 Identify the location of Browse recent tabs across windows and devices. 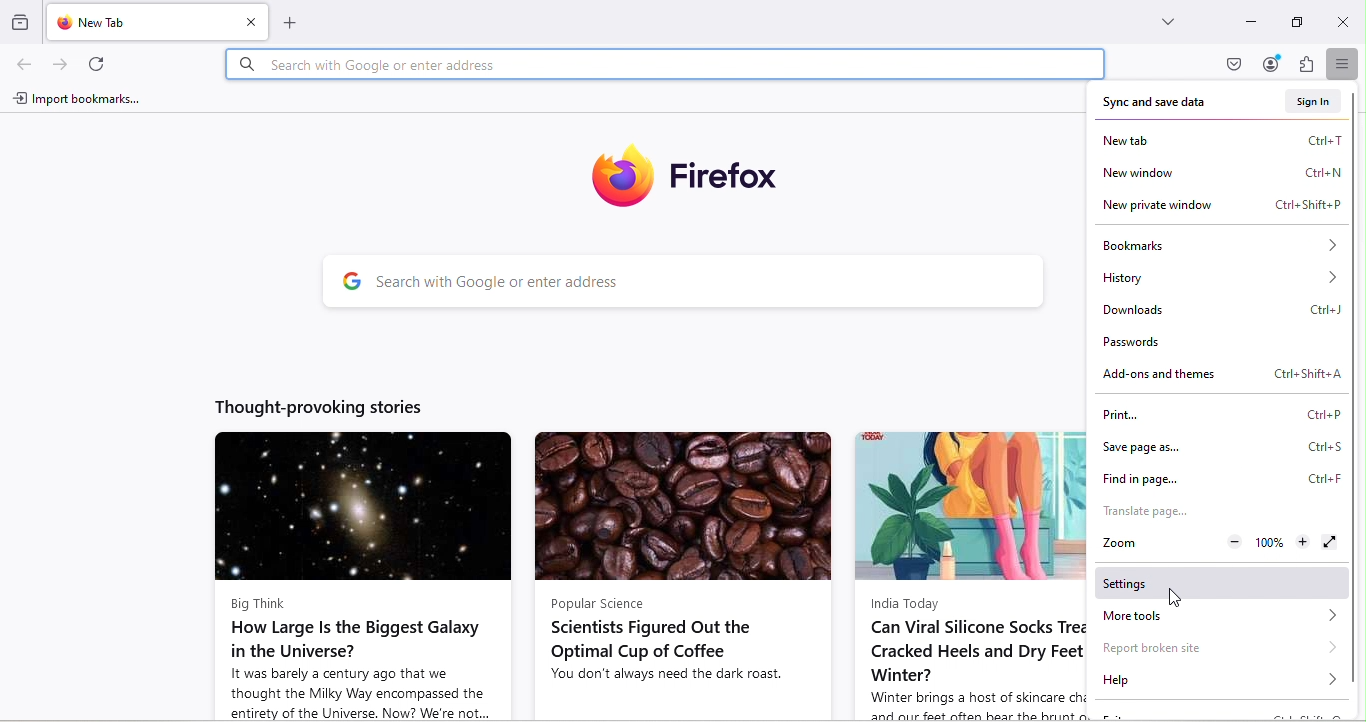
(24, 24).